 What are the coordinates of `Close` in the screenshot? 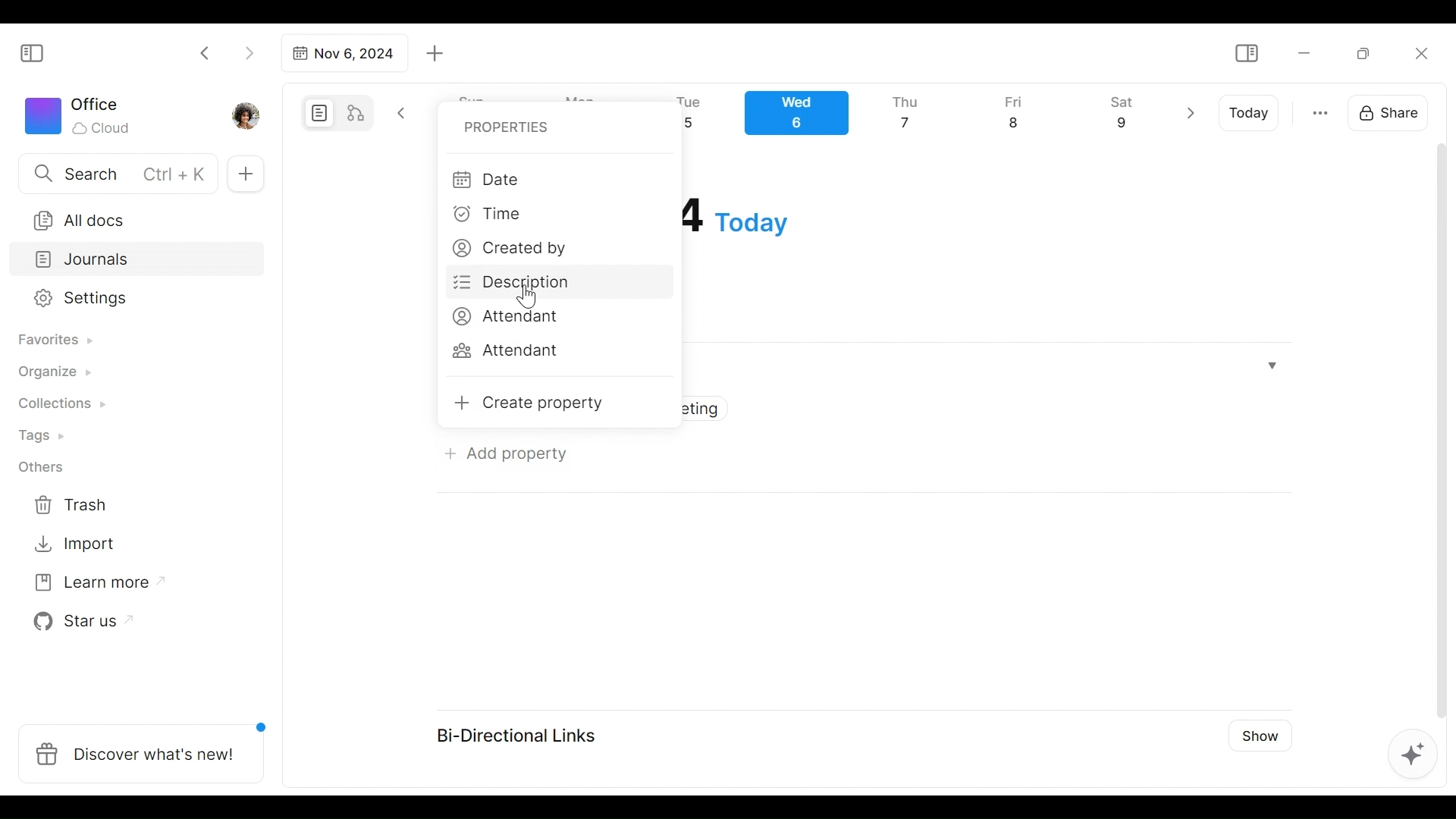 It's located at (1420, 53).